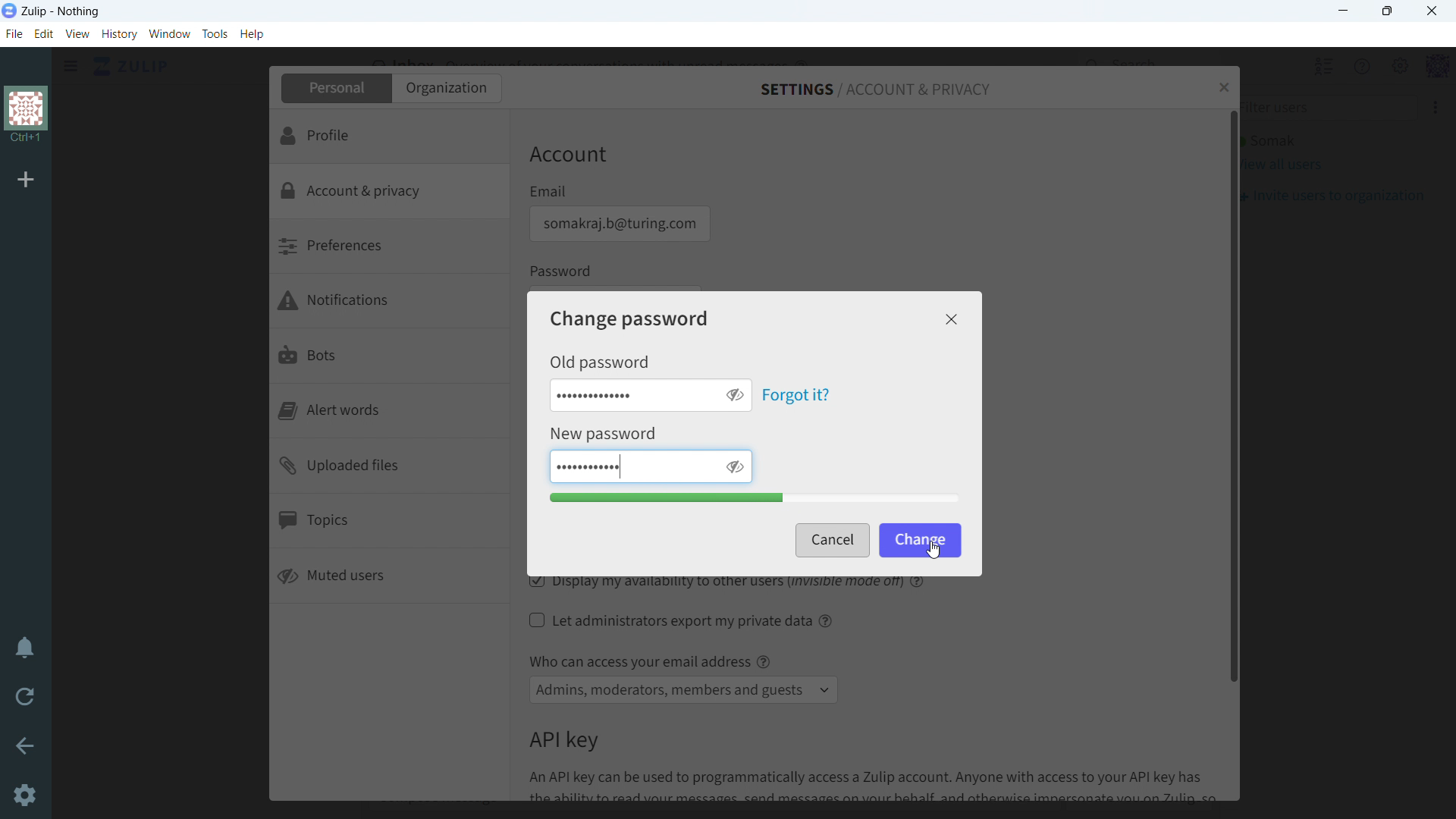 The image size is (1456, 819). I want to click on close, so click(1223, 87).